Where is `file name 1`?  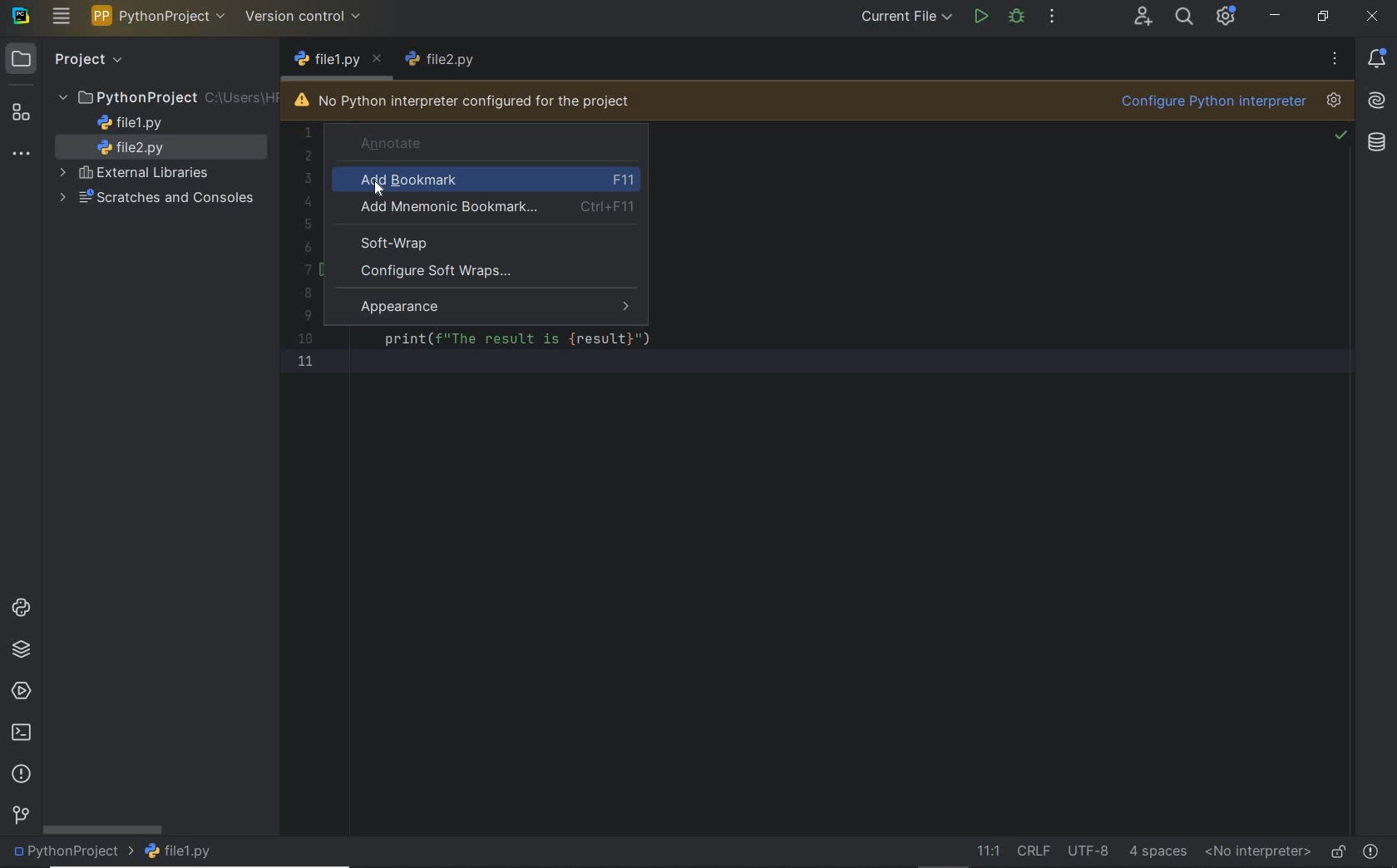 file name 1 is located at coordinates (442, 60).